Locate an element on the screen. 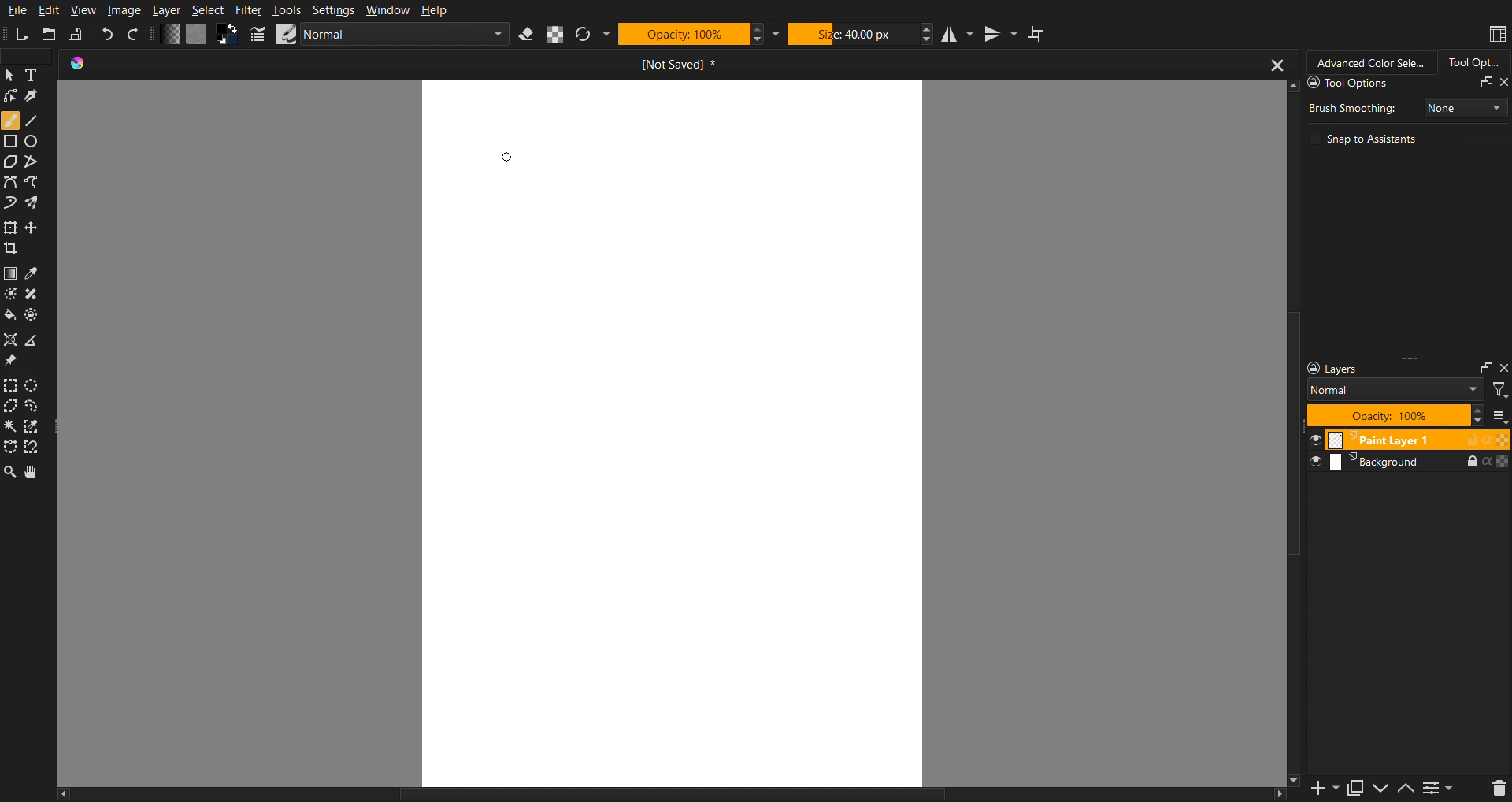  Pallete is located at coordinates (35, 314).